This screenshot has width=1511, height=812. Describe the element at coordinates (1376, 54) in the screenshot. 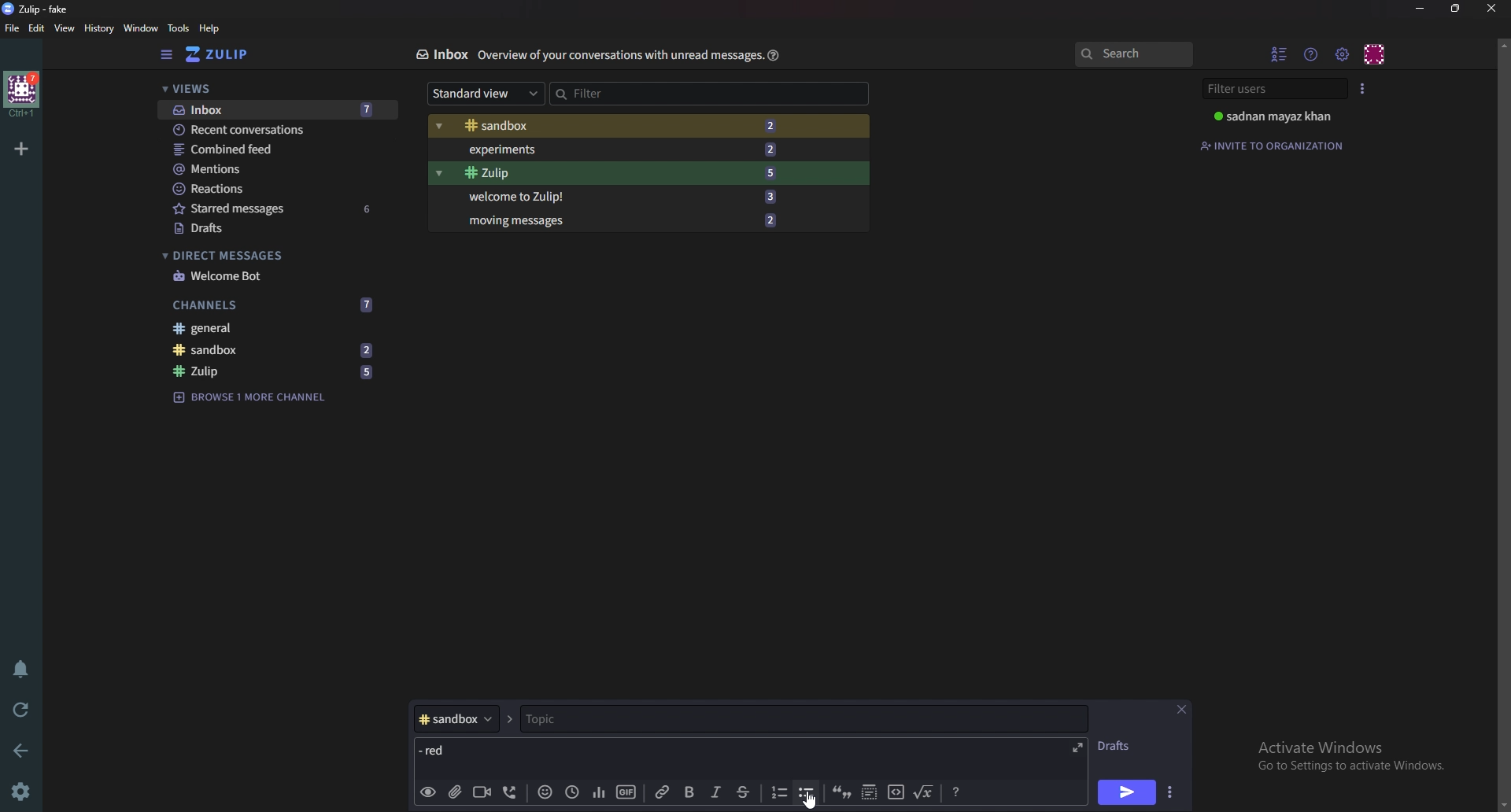

I see `personal menu` at that location.